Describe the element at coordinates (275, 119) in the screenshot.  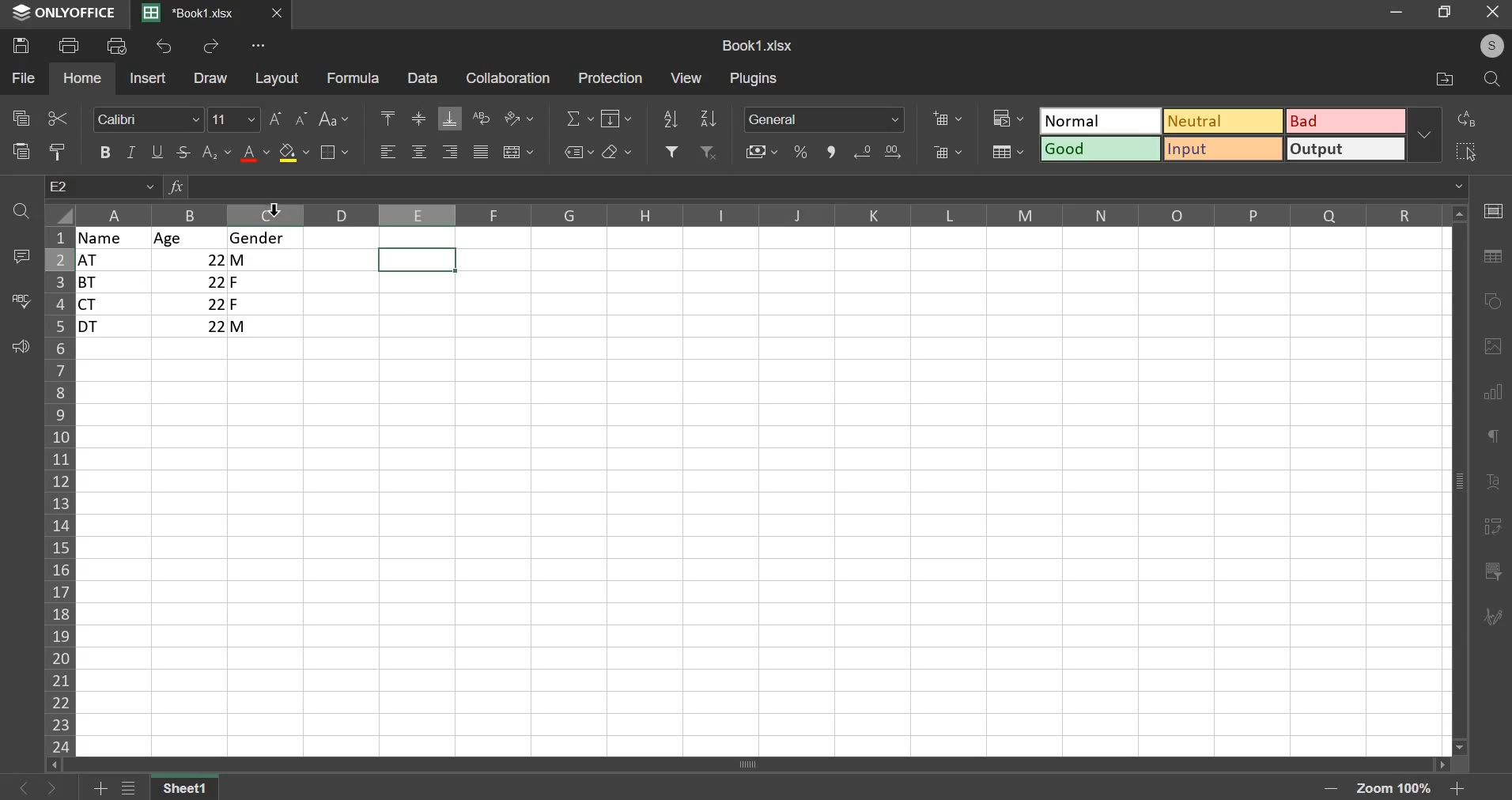
I see `font size increase` at that location.